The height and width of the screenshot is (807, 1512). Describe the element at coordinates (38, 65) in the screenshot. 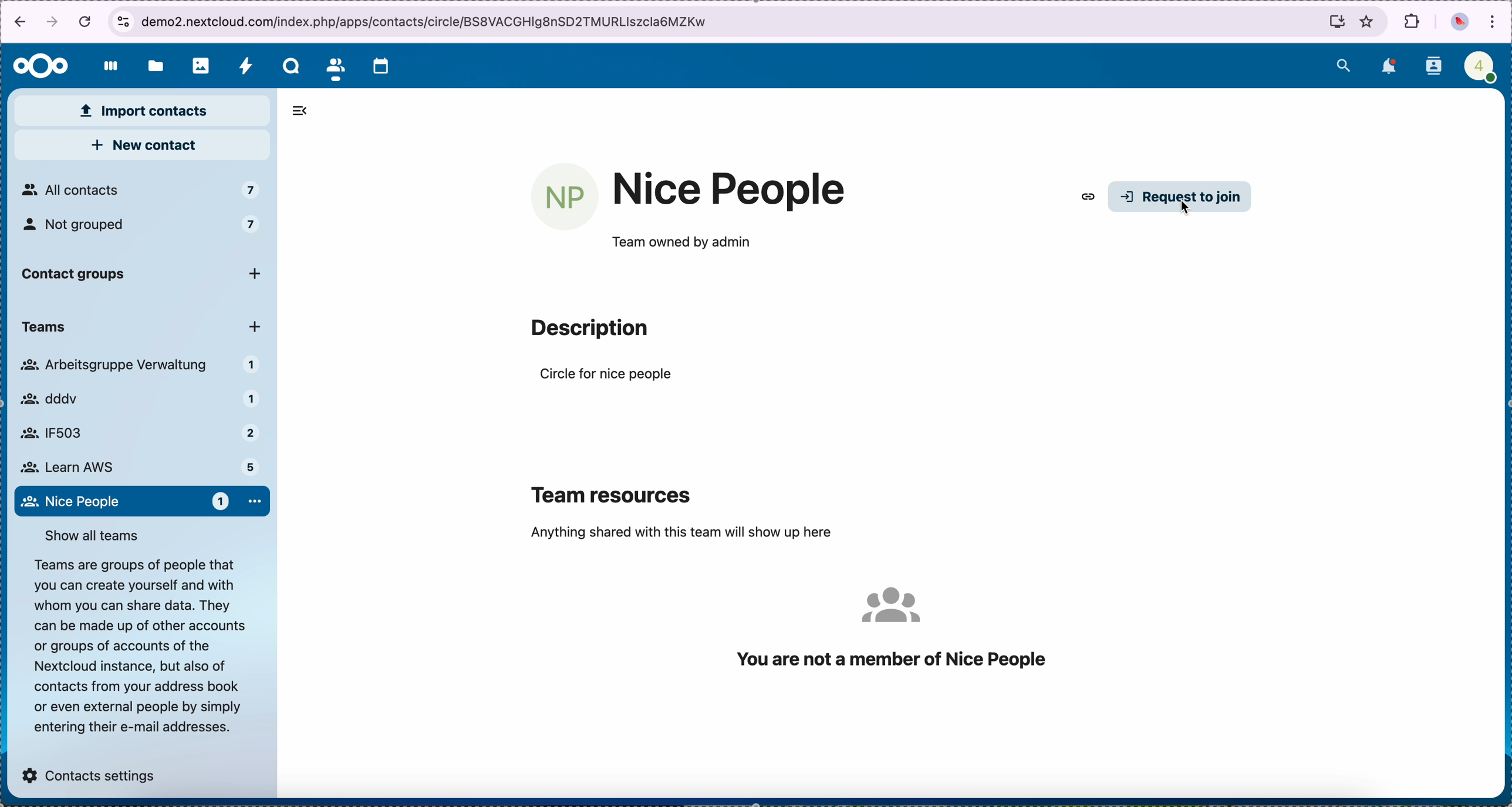

I see `Nextcloud logo` at that location.